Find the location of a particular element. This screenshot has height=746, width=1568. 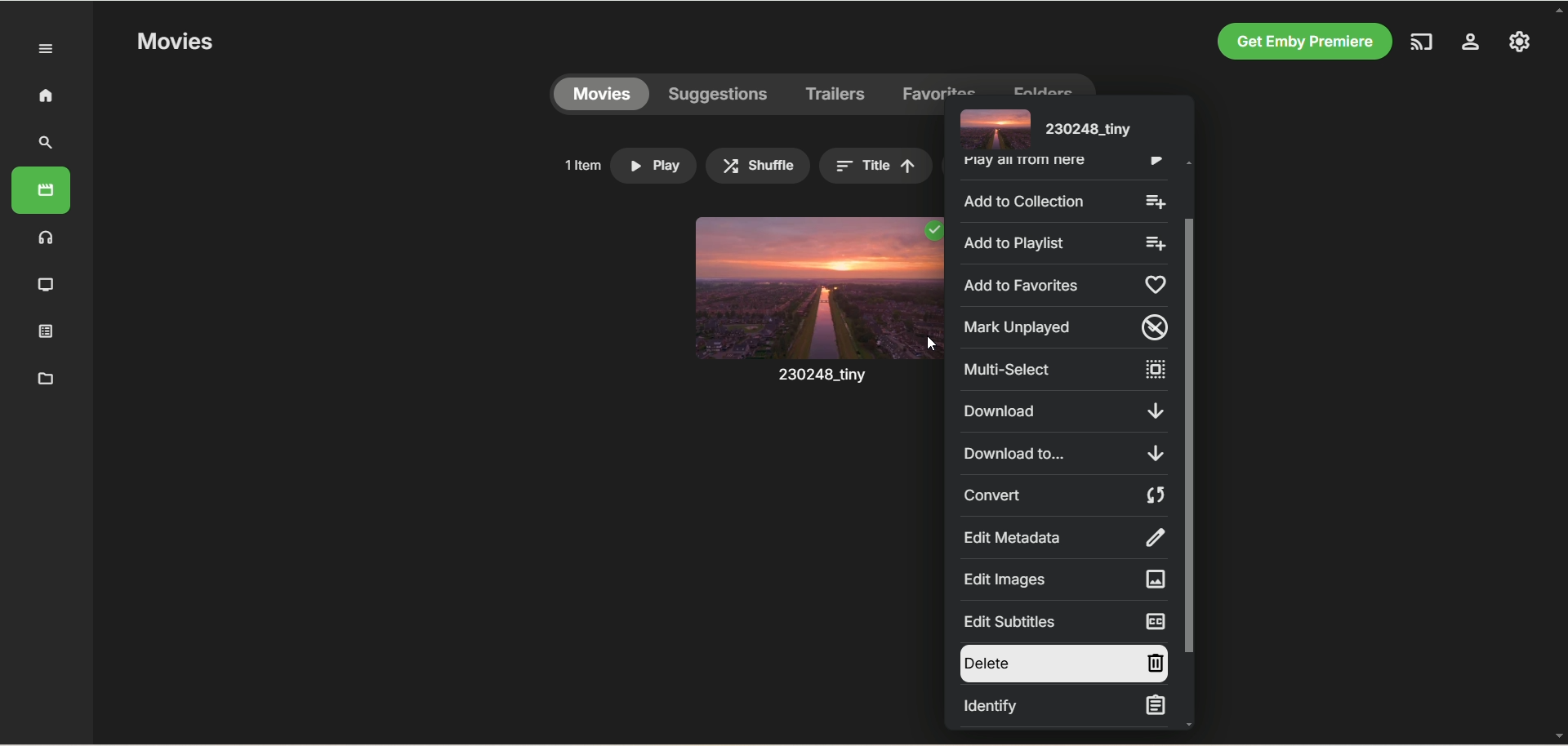

music is located at coordinates (47, 237).